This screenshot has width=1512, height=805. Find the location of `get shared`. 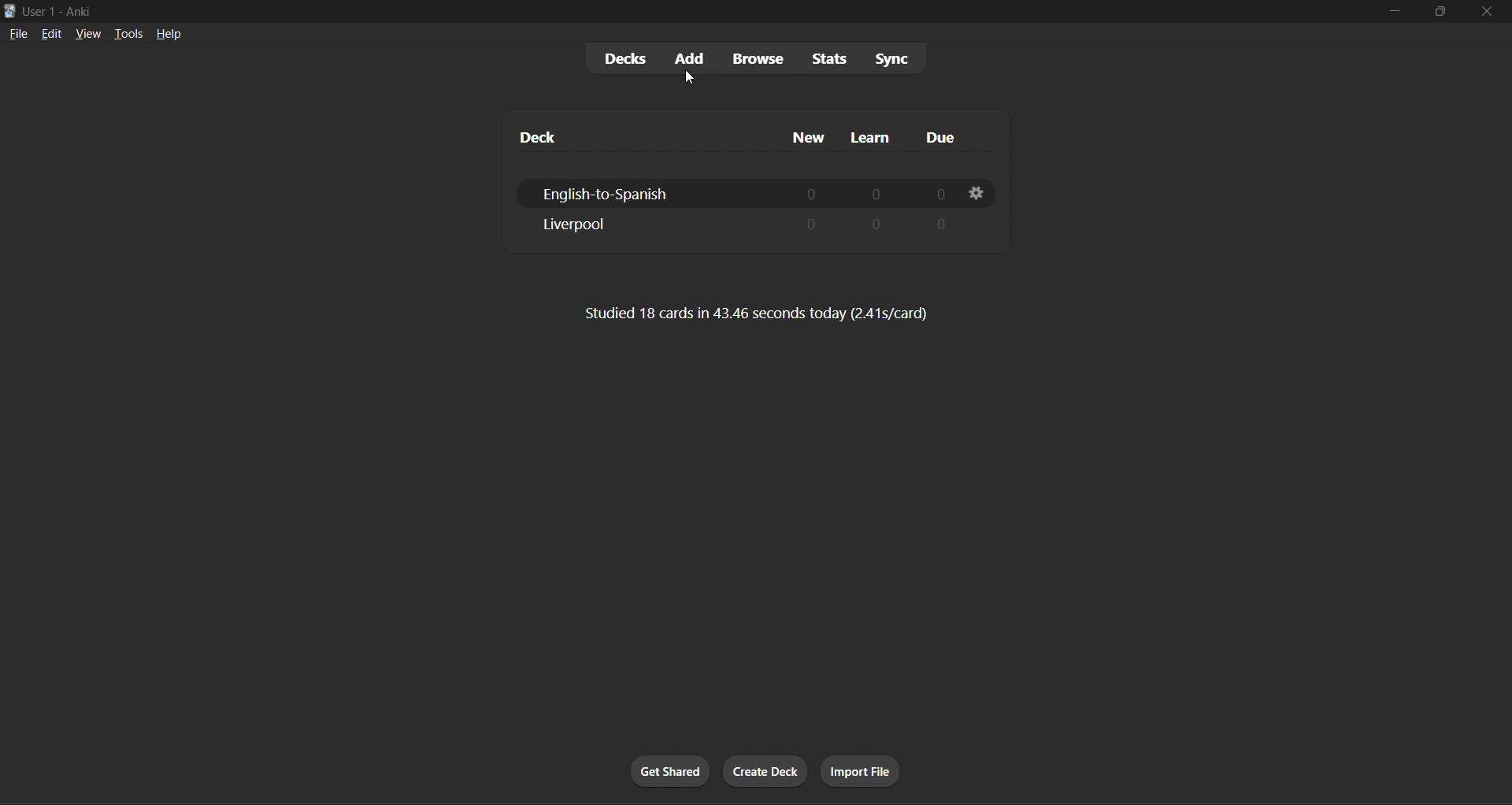

get shared is located at coordinates (669, 770).